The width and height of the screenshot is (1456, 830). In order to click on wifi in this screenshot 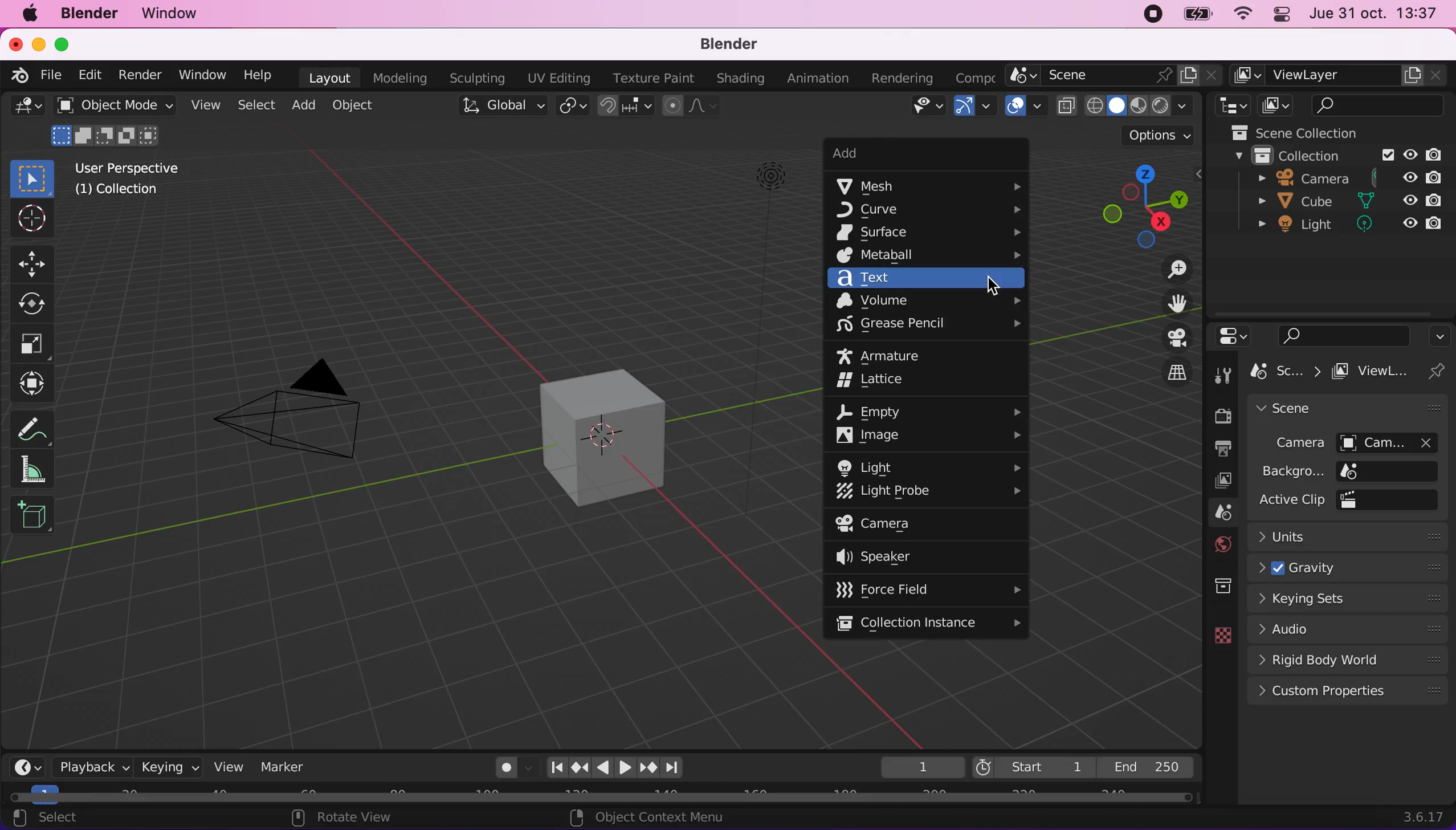, I will do `click(1241, 14)`.